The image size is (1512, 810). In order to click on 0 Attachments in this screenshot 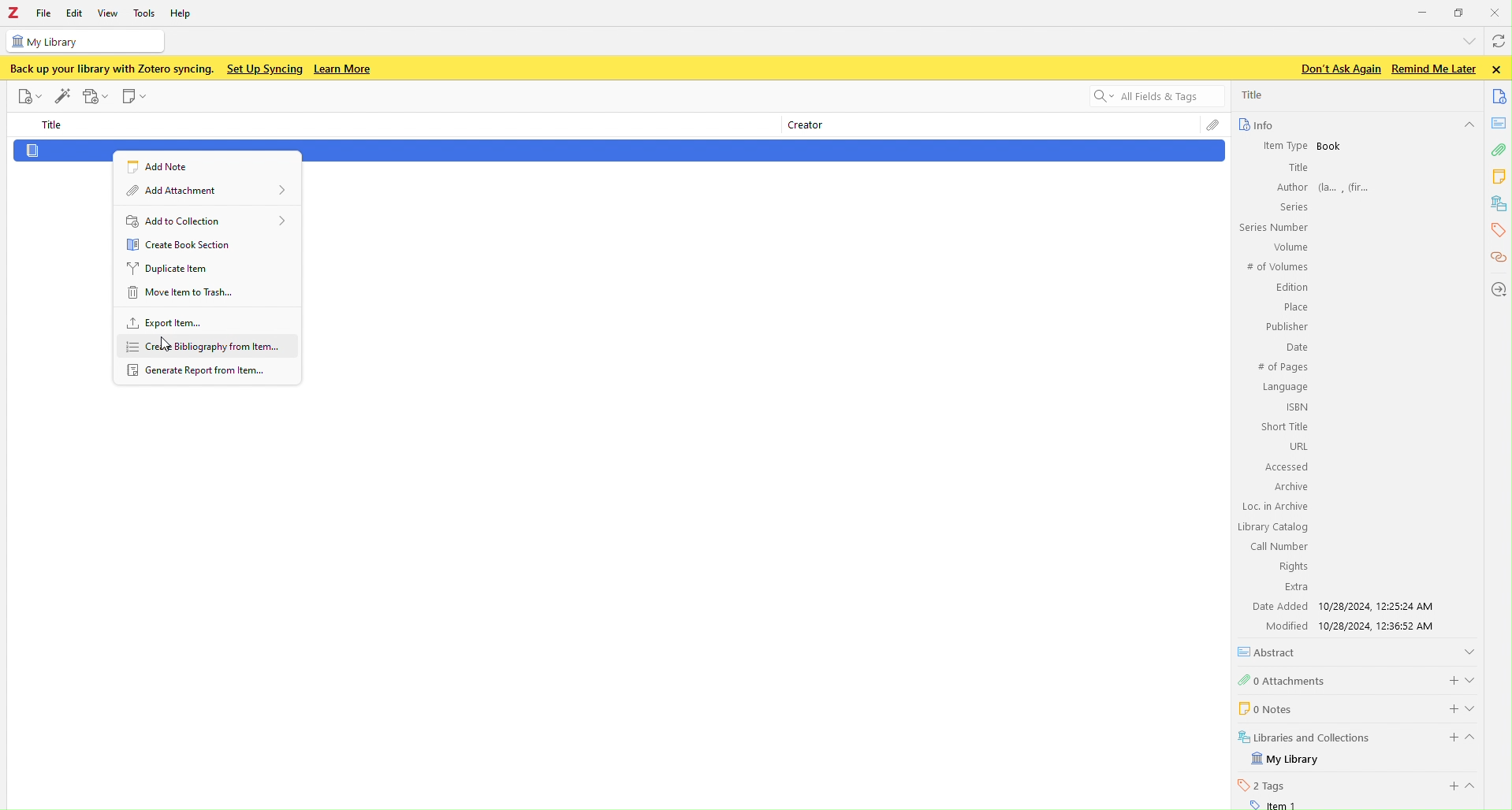, I will do `click(1283, 679)`.